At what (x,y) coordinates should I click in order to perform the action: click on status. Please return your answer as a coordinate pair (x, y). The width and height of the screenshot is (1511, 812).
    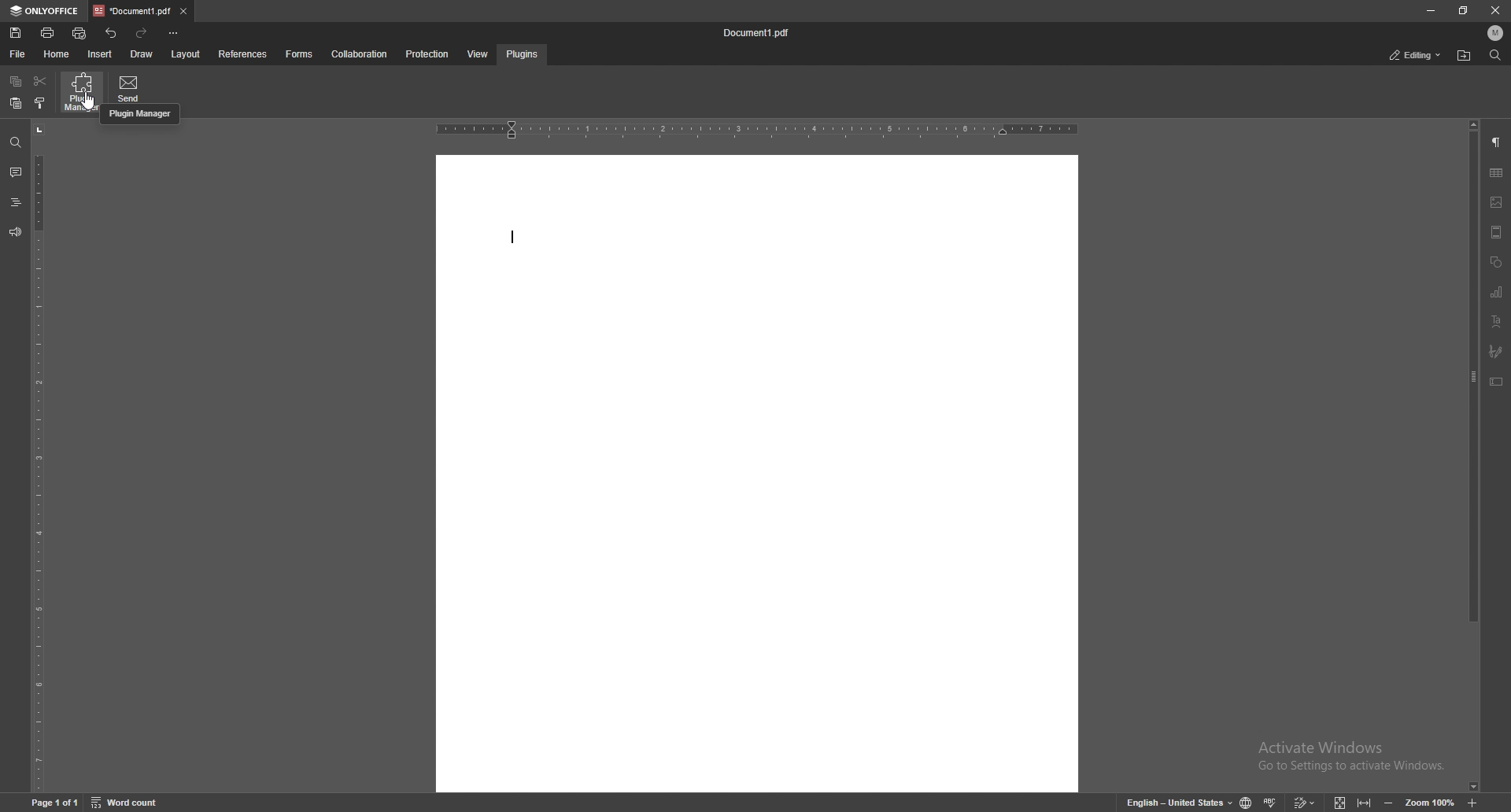
    Looking at the image, I should click on (1417, 54).